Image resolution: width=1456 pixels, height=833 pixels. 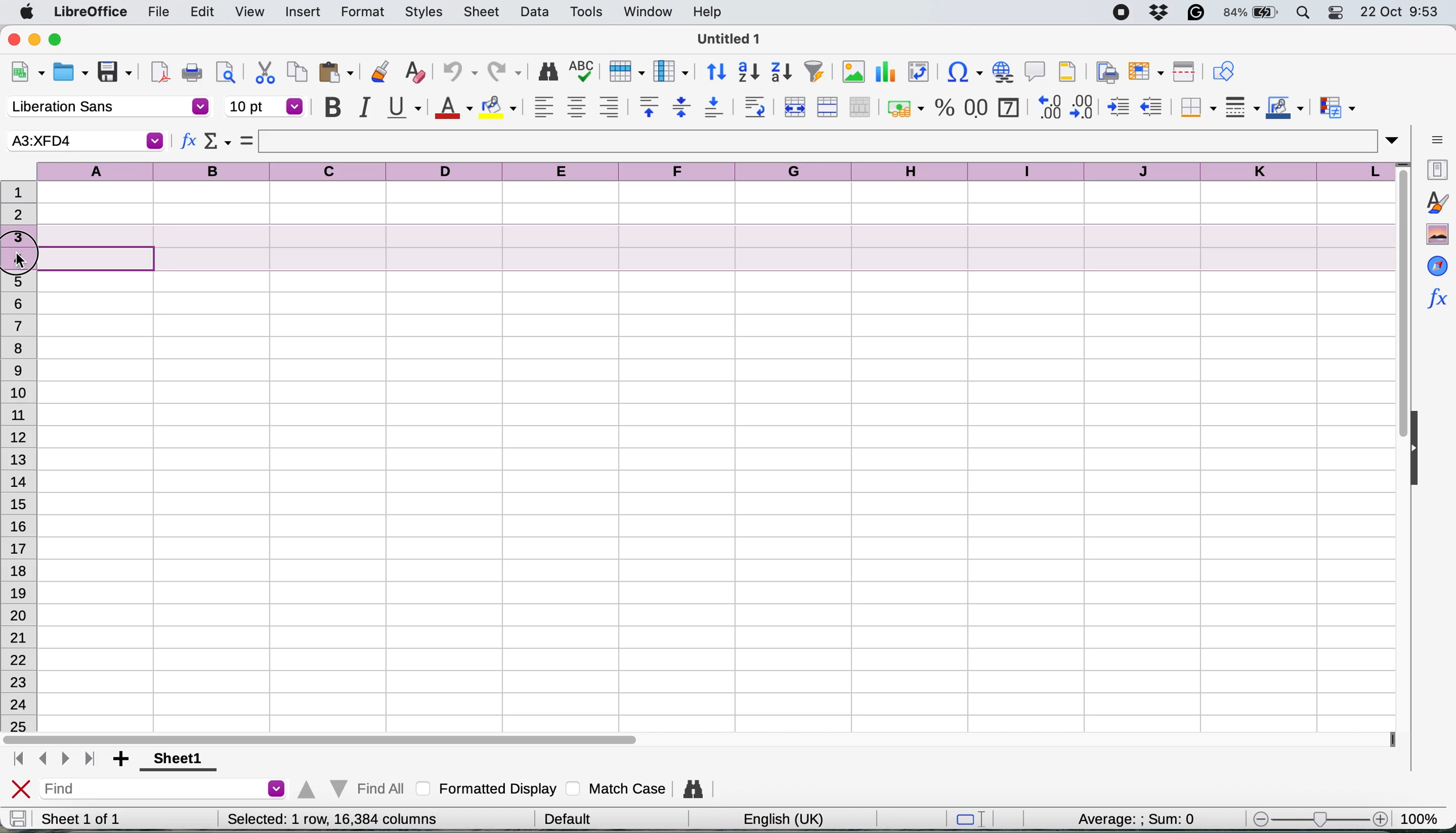 What do you see at coordinates (363, 13) in the screenshot?
I see `format` at bounding box center [363, 13].